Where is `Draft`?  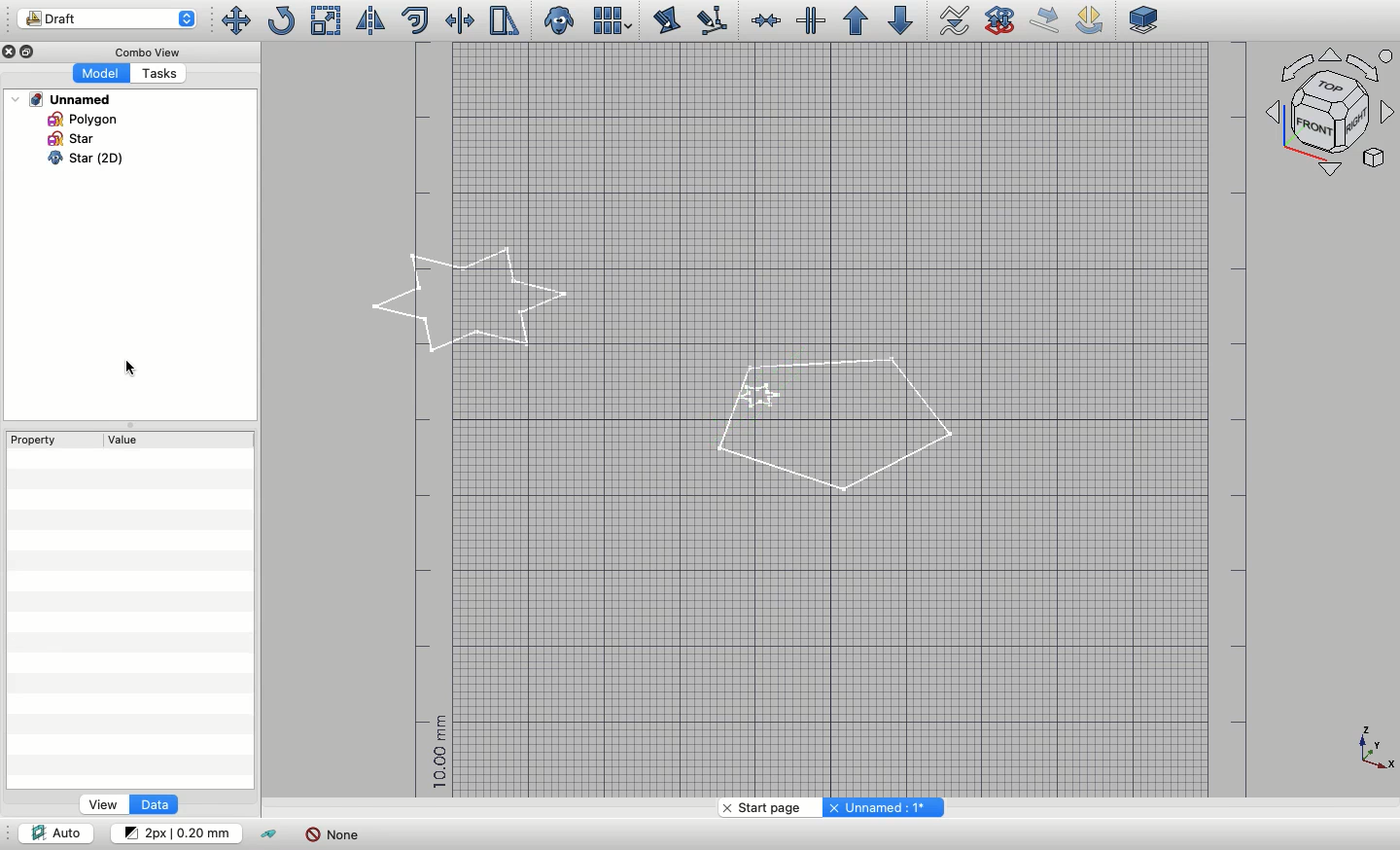
Draft is located at coordinates (107, 18).